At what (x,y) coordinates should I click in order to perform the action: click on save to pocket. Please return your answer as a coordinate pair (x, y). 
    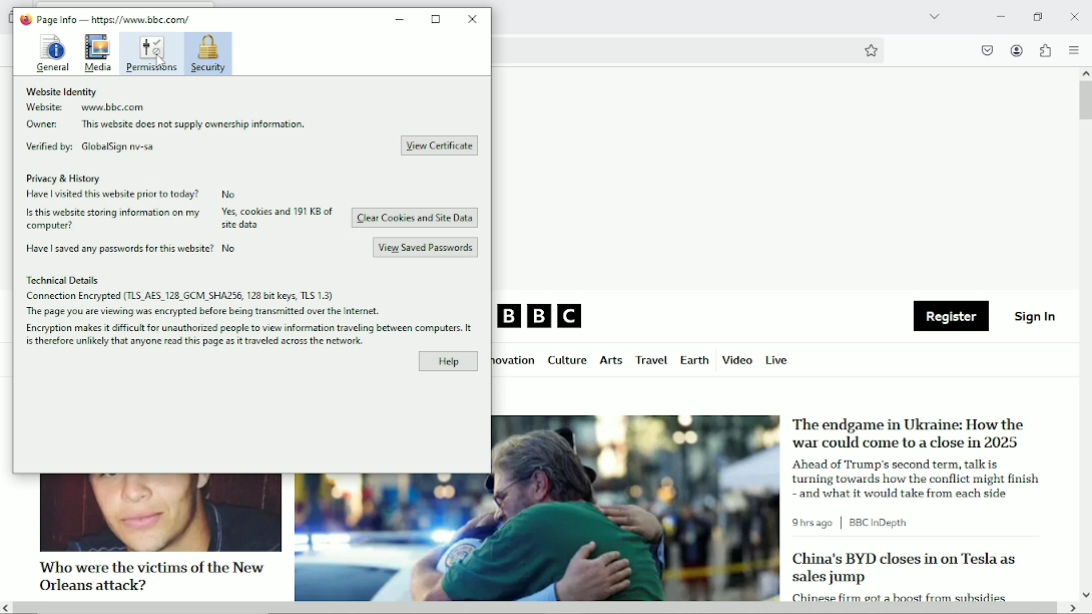
    Looking at the image, I should click on (986, 50).